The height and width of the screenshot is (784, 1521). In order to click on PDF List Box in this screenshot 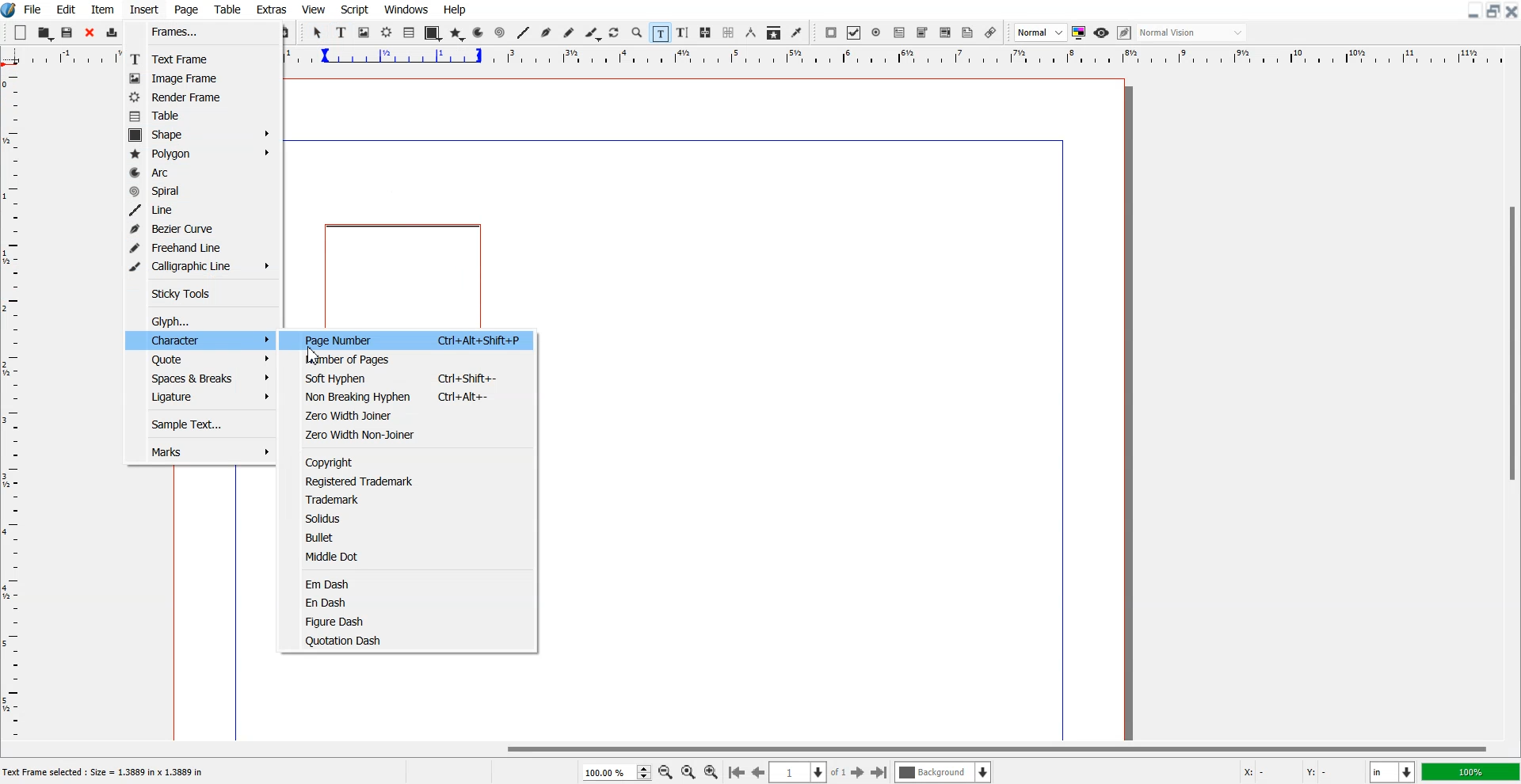, I will do `click(945, 33)`.